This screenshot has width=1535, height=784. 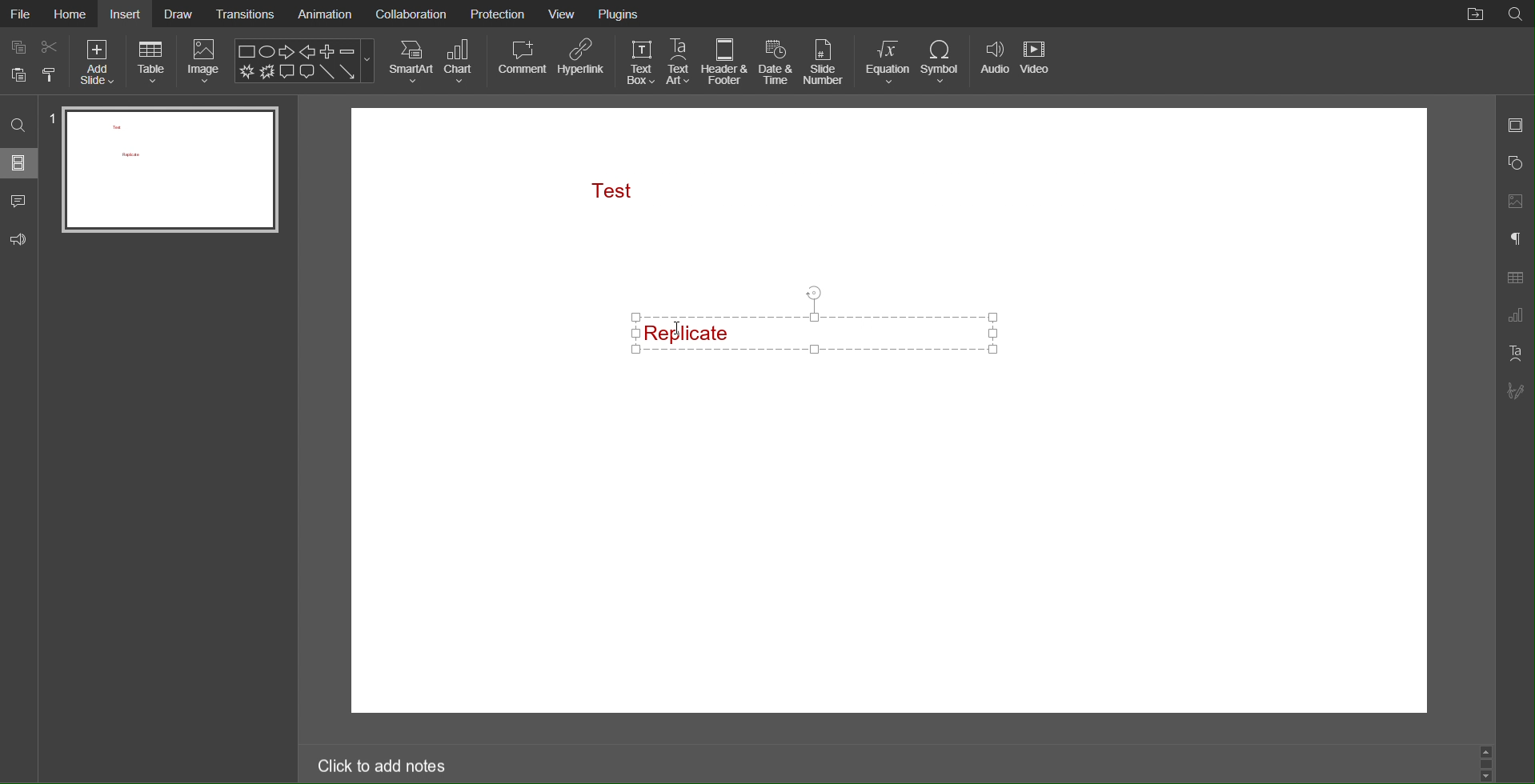 What do you see at coordinates (522, 61) in the screenshot?
I see `Comment` at bounding box center [522, 61].